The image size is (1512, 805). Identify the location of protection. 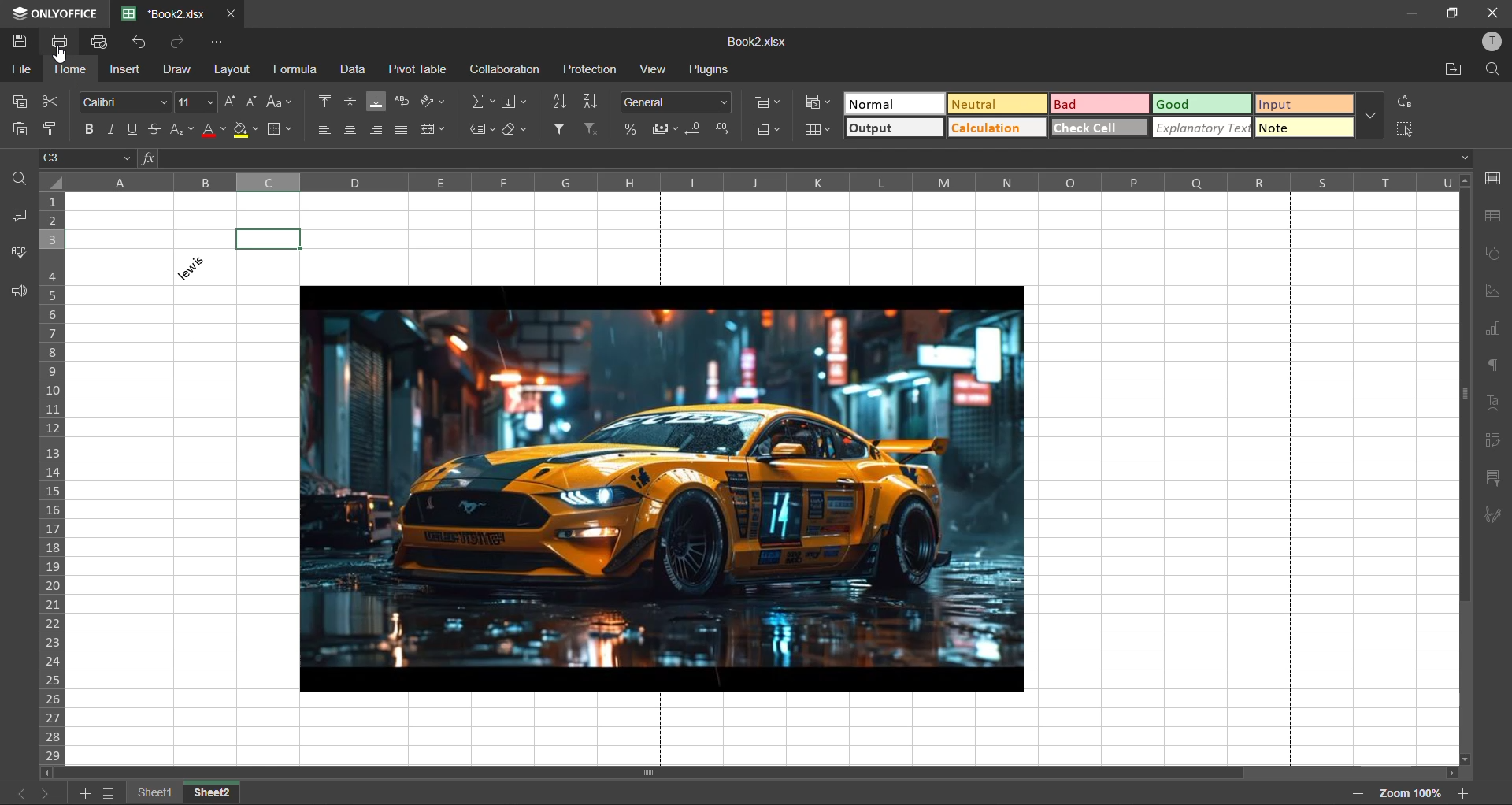
(589, 68).